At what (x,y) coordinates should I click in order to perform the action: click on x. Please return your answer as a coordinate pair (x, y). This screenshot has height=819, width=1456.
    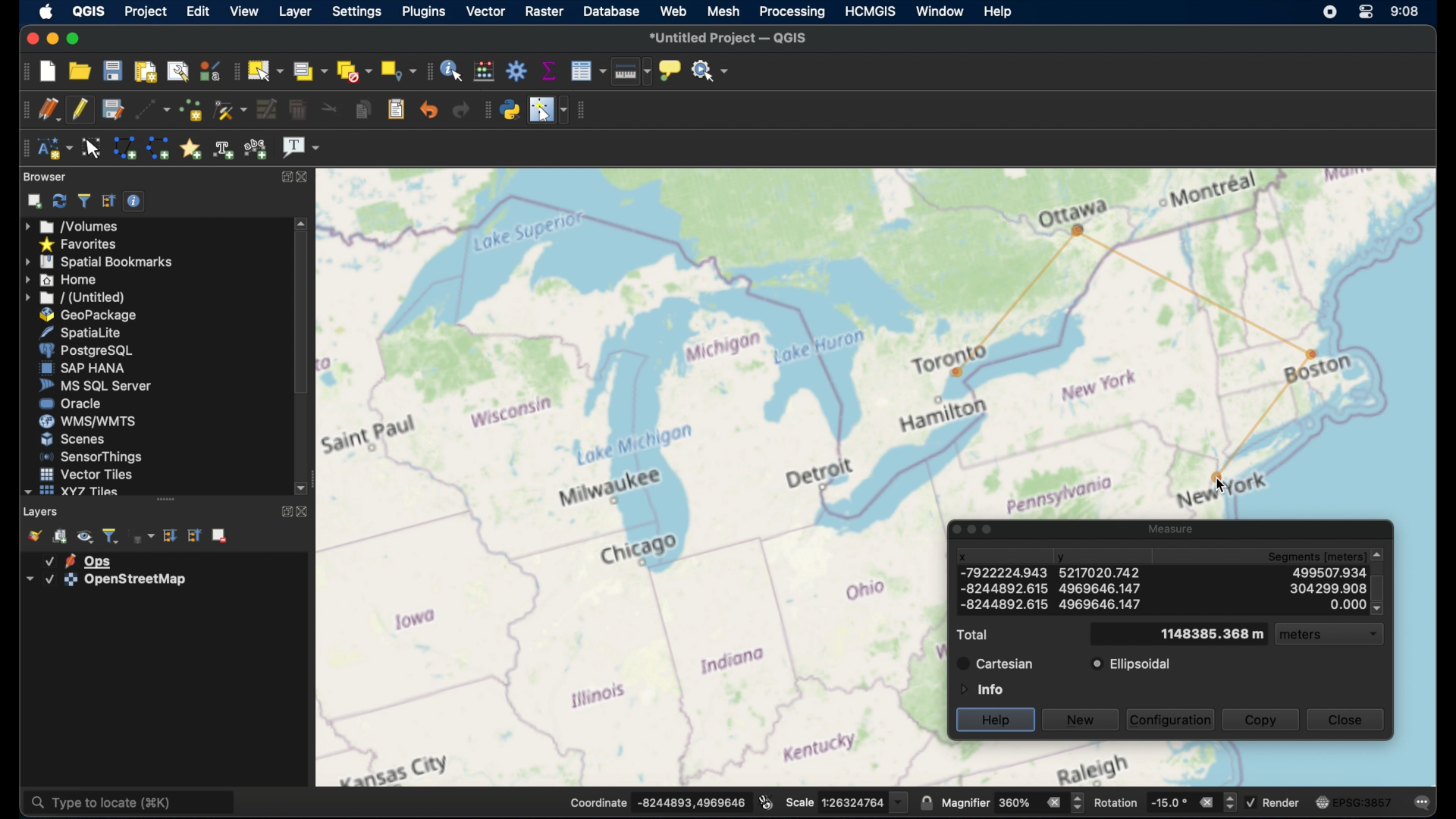
    Looking at the image, I should click on (1000, 572).